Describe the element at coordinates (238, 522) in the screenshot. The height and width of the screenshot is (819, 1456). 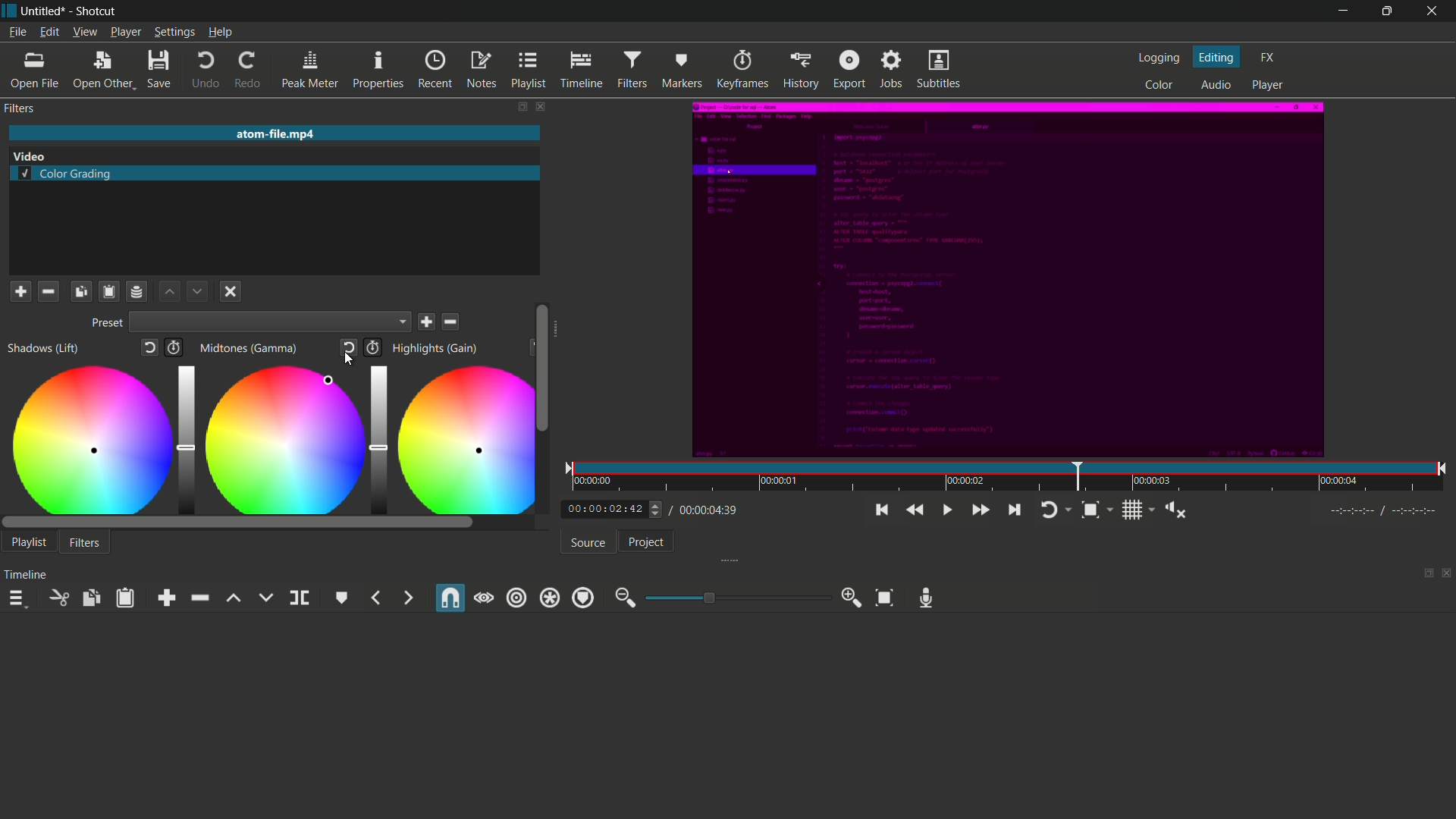
I see `Scroller` at that location.